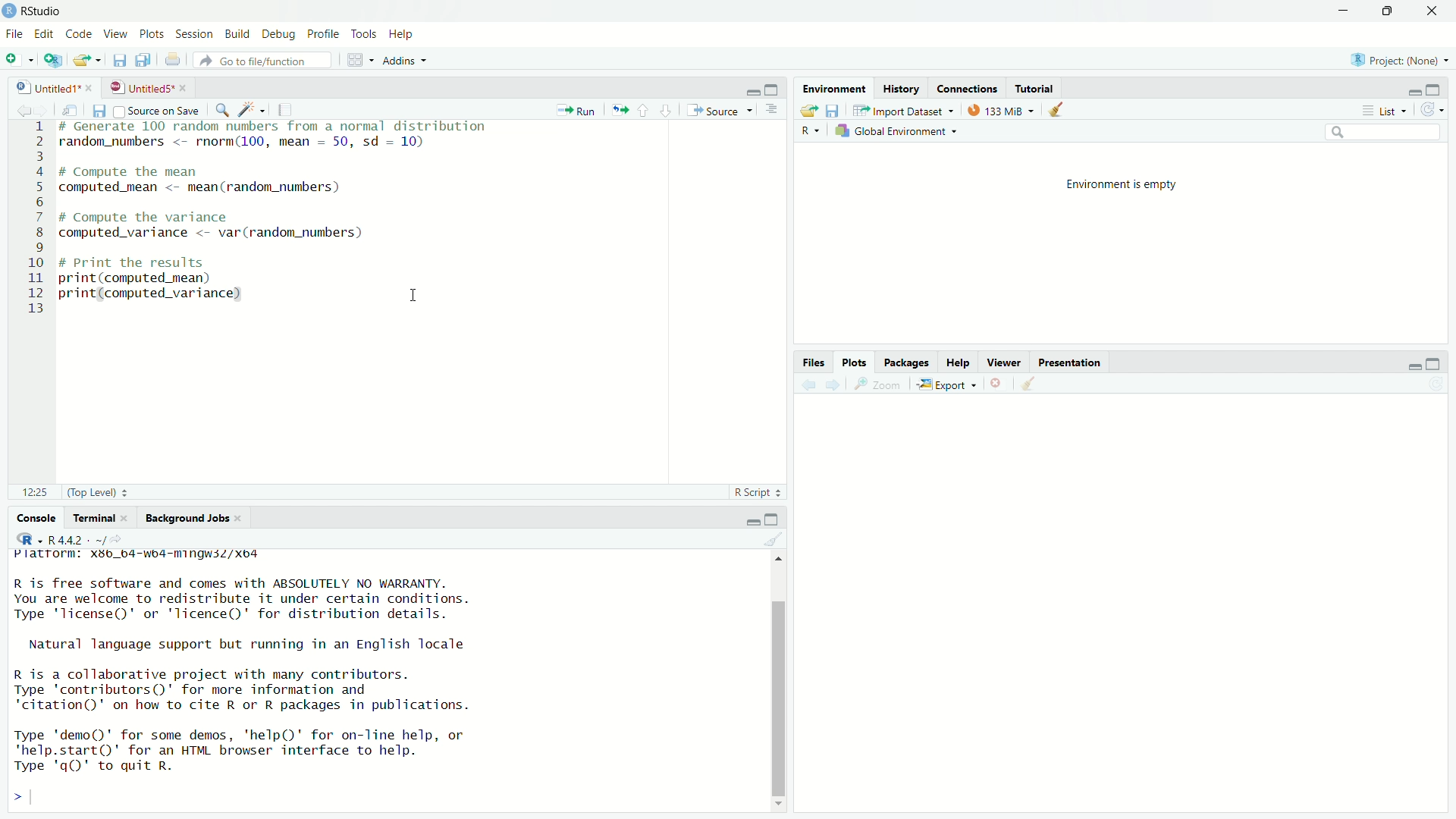  I want to click on # generate 100 random numbers from a normal distribution, so click(277, 127).